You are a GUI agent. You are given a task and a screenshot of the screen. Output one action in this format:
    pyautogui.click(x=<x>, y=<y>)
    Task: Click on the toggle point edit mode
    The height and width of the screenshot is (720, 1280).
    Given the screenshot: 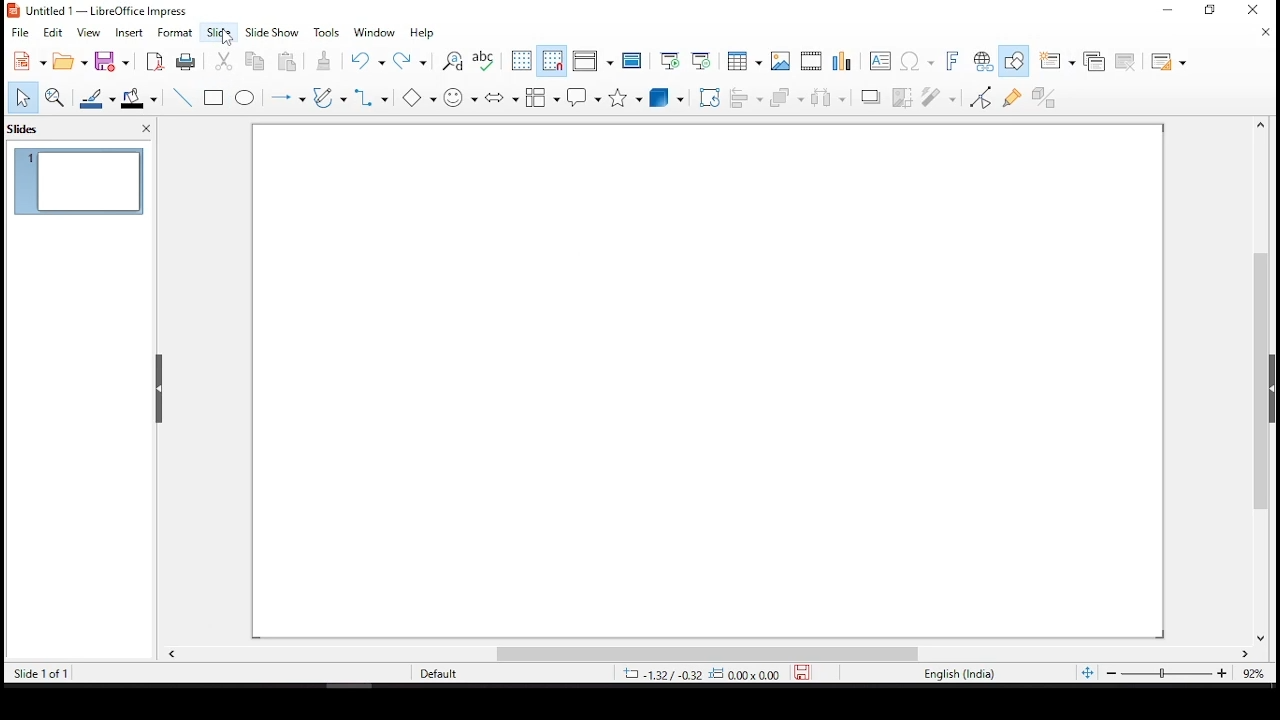 What is the action you would take?
    pyautogui.click(x=980, y=98)
    